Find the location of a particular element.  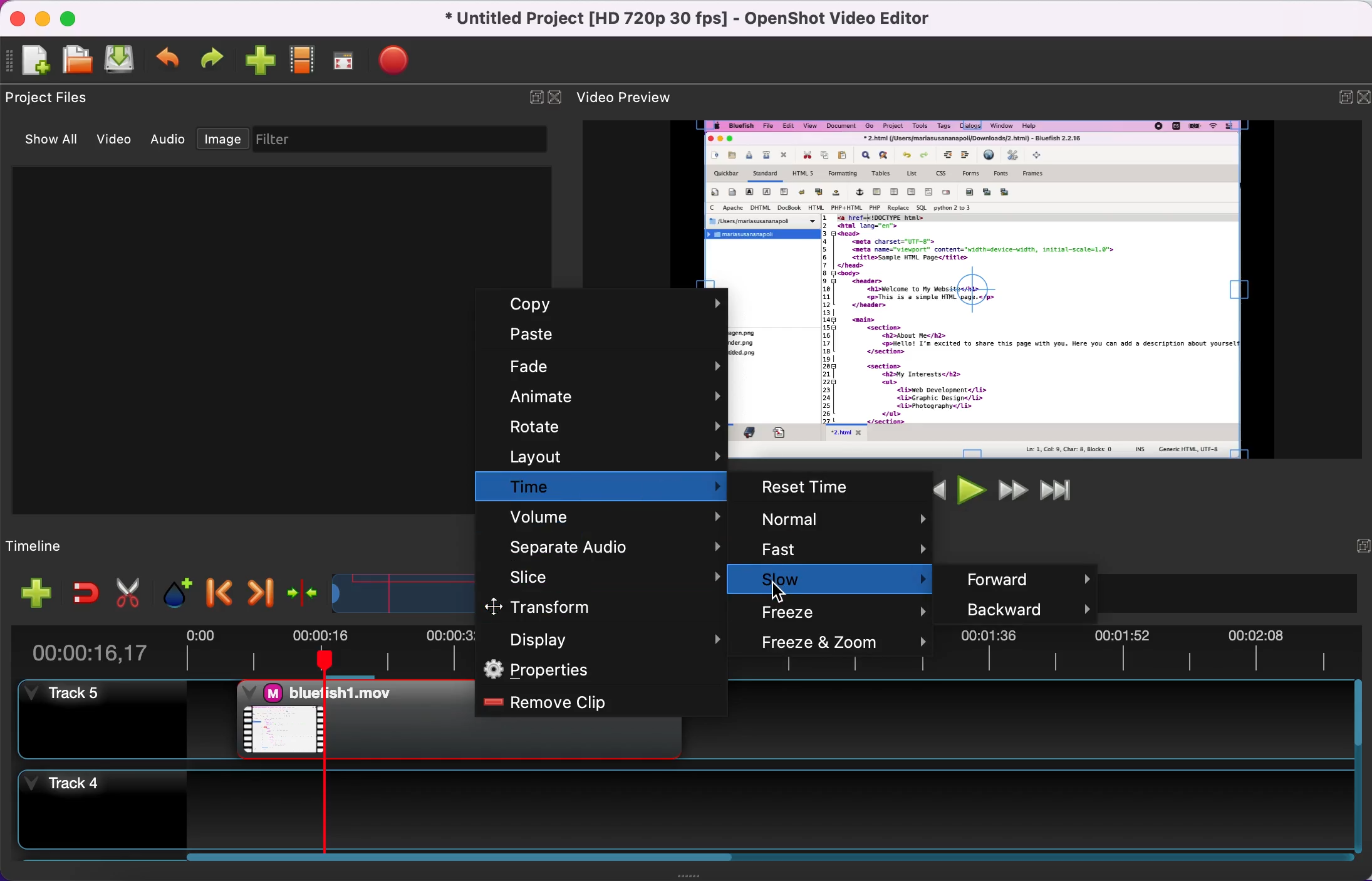

forward is located at coordinates (1026, 576).